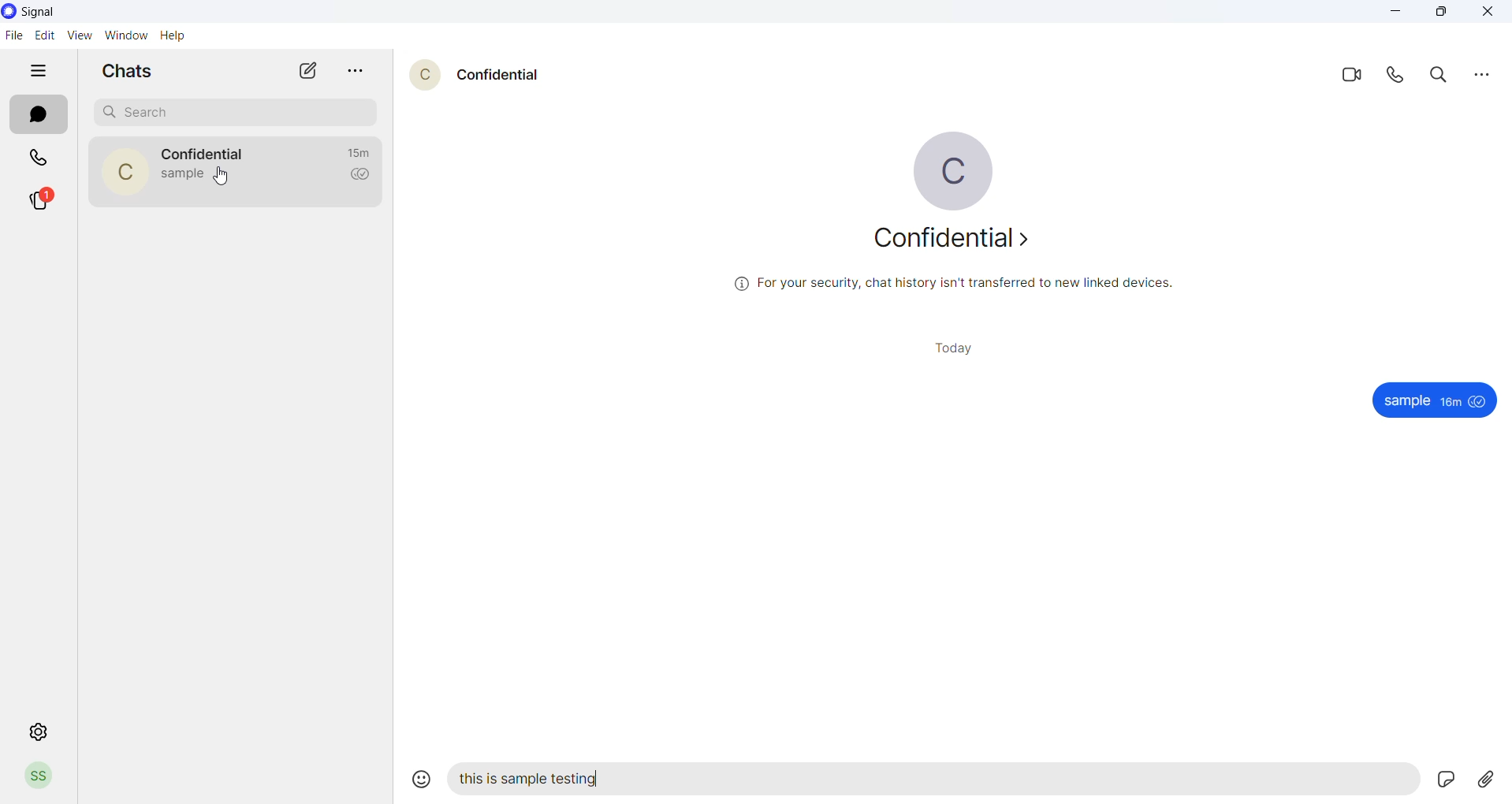 The image size is (1512, 804). Describe the element at coordinates (1443, 777) in the screenshot. I see `send sticker` at that location.